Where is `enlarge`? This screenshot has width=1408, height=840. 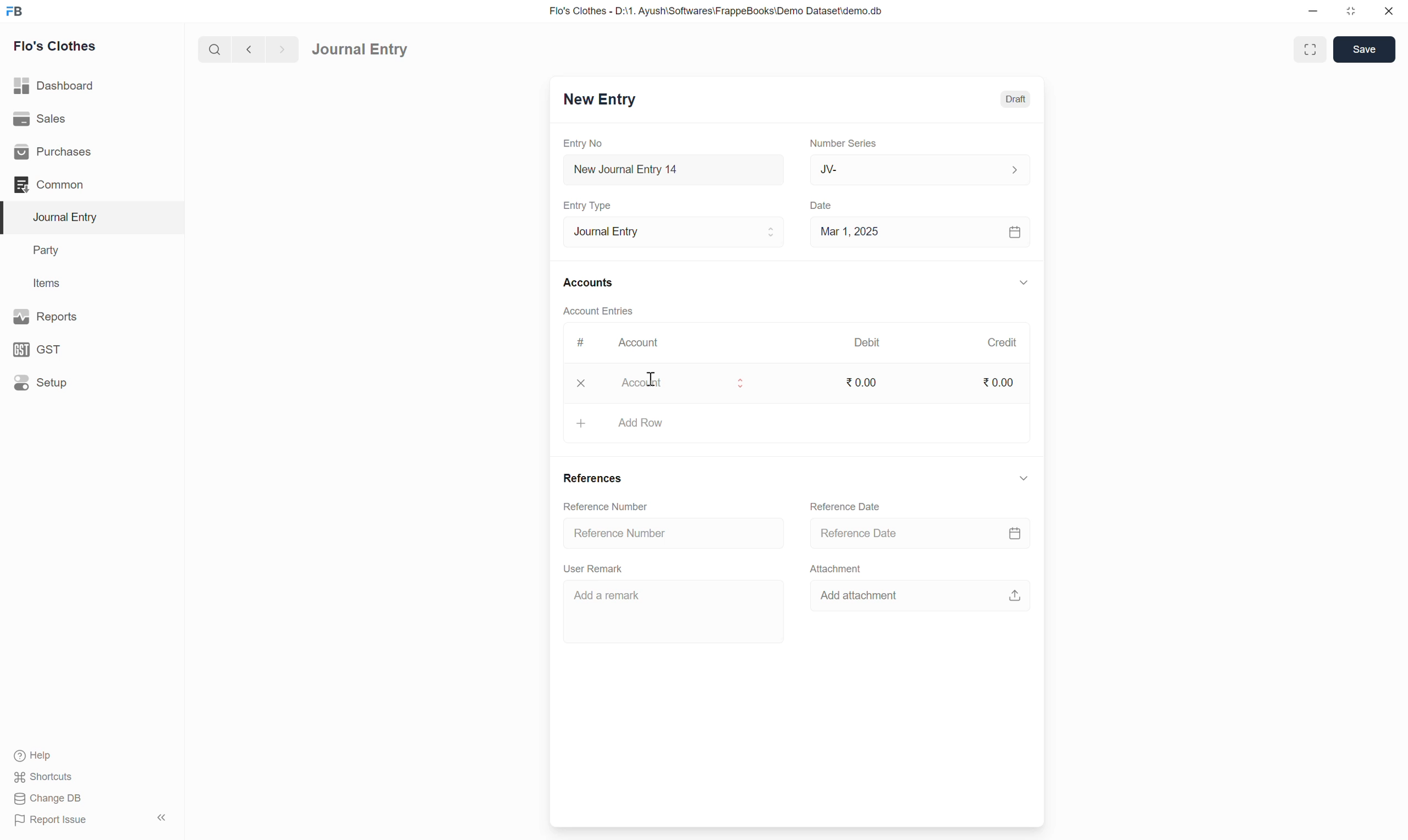
enlarge is located at coordinates (1312, 48).